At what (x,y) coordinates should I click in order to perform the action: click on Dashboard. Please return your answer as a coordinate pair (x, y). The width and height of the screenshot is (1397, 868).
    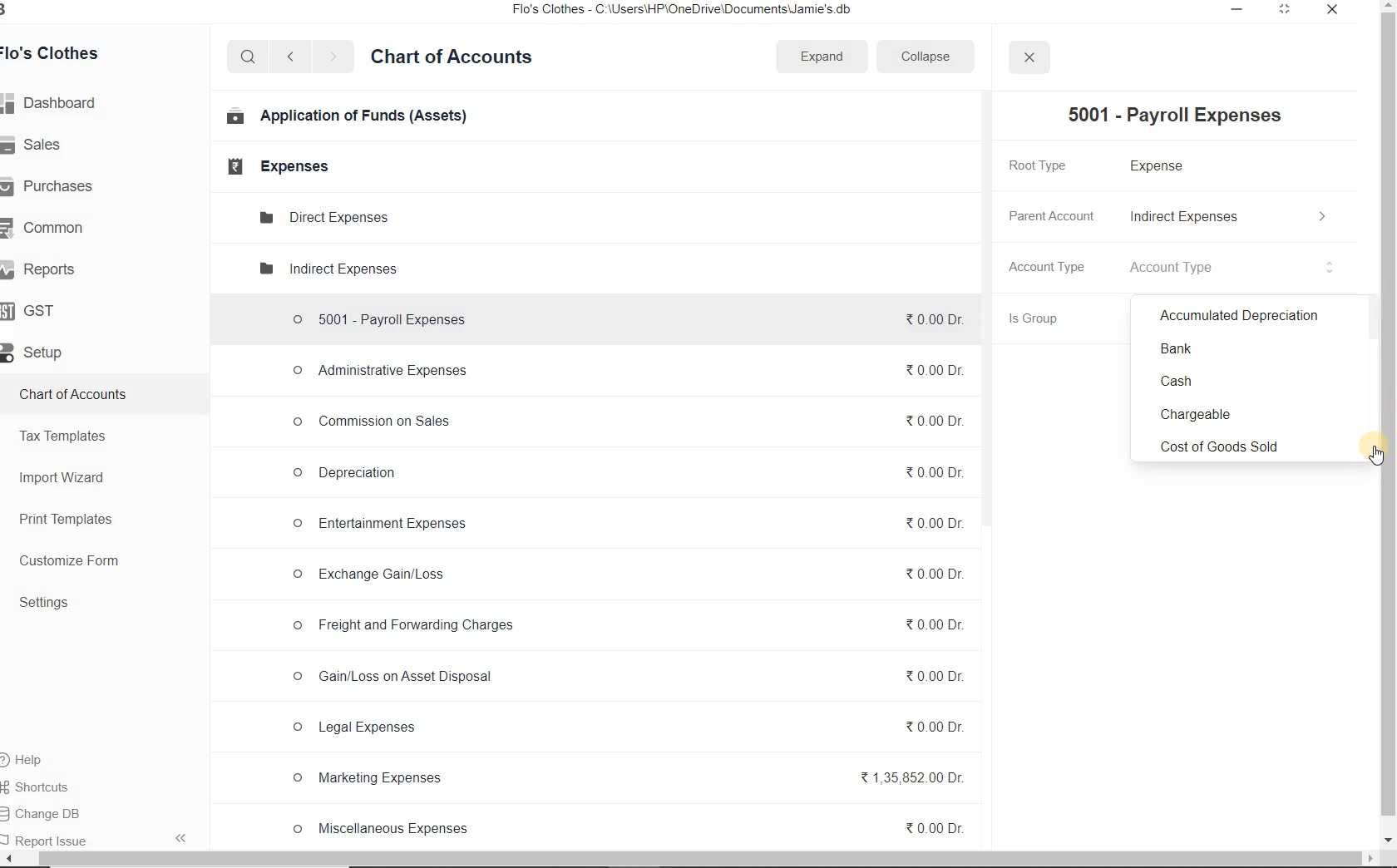
    Looking at the image, I should click on (57, 103).